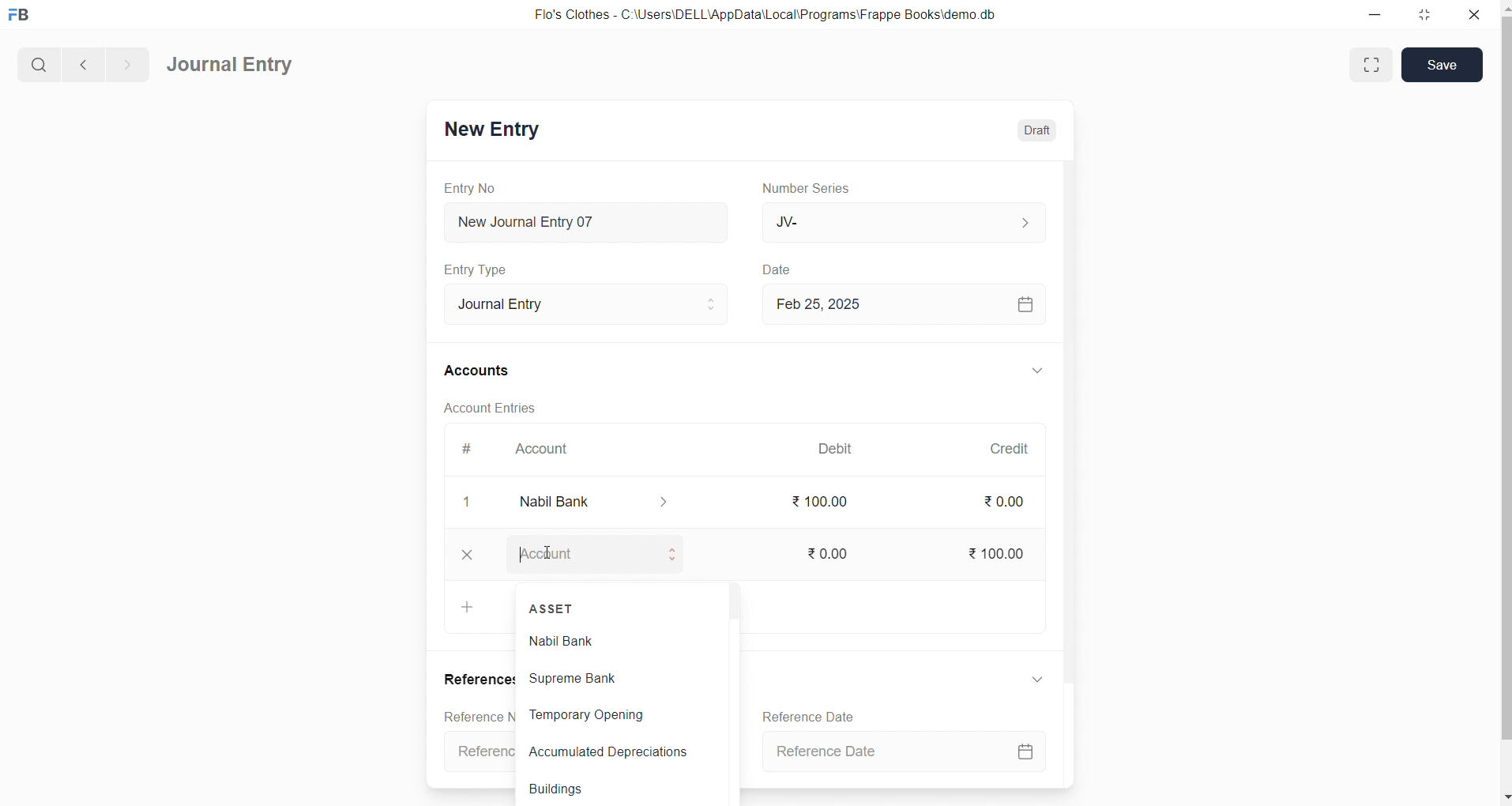  I want to click on Add Row, so click(468, 552).